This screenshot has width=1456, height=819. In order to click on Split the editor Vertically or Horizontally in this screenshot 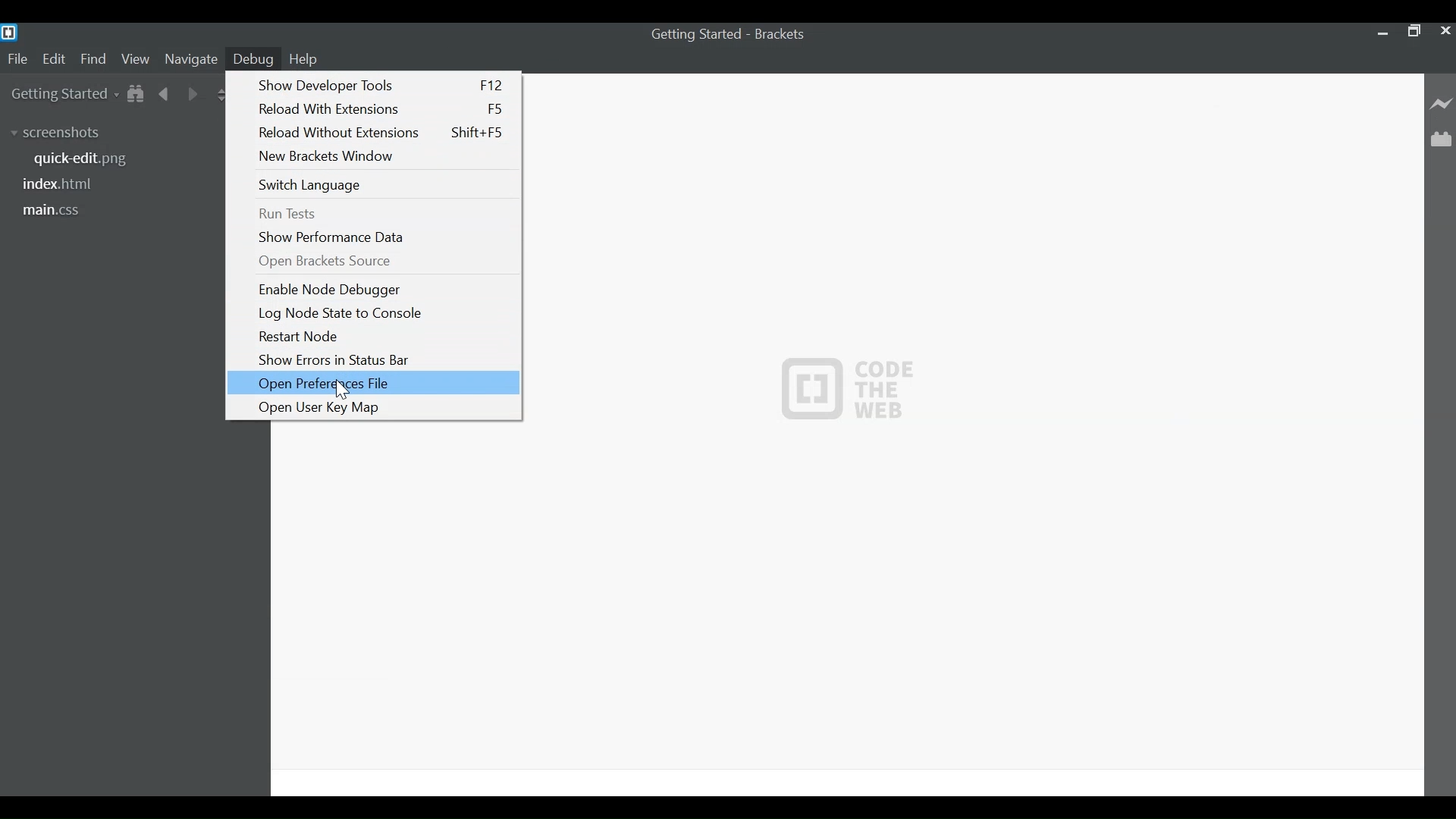, I will do `click(220, 95)`.